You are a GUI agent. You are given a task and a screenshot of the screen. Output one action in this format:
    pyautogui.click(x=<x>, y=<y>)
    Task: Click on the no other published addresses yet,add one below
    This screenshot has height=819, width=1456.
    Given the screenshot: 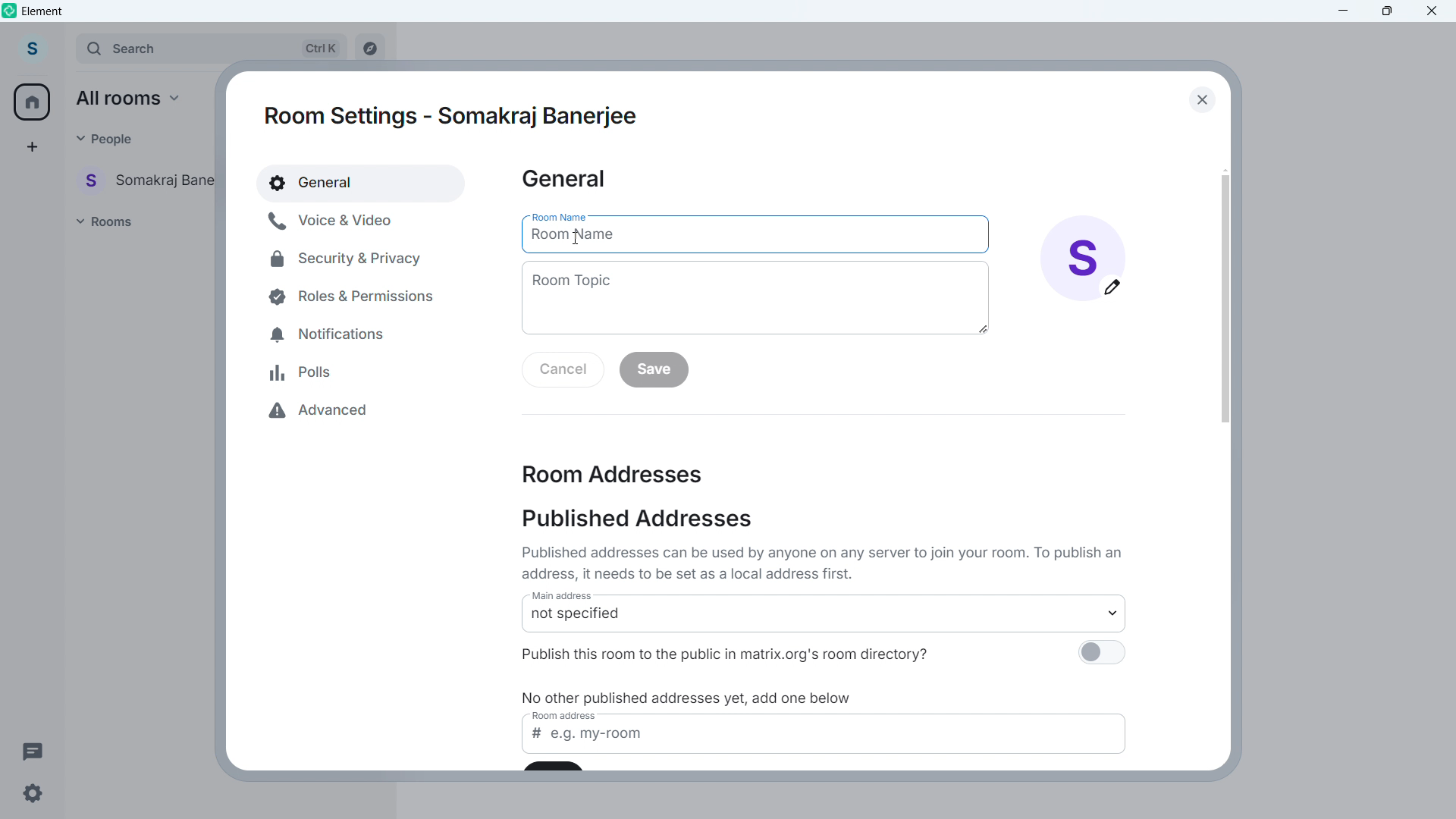 What is the action you would take?
    pyautogui.click(x=691, y=698)
    